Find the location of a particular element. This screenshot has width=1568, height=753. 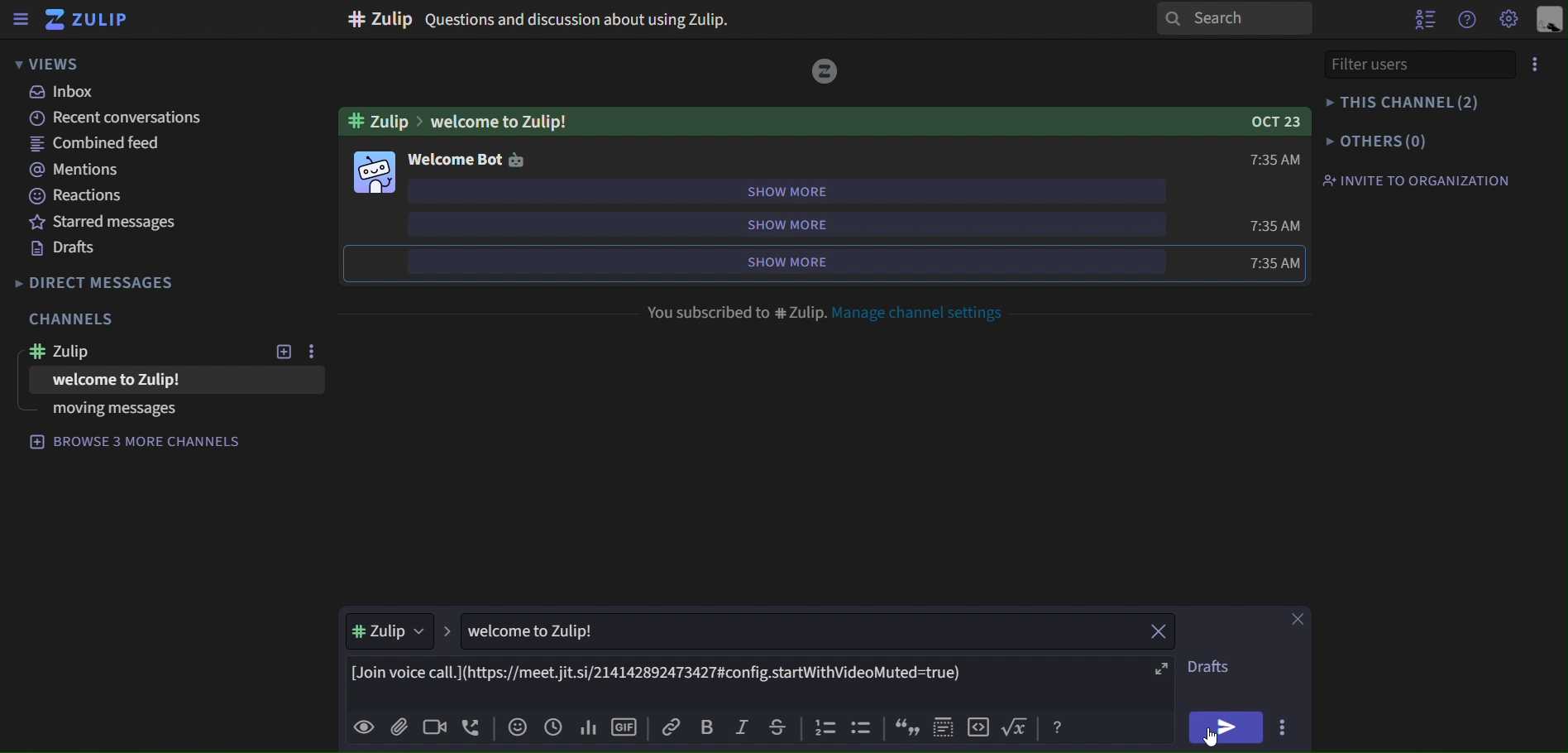

welcome to Zulip! is located at coordinates (541, 631).